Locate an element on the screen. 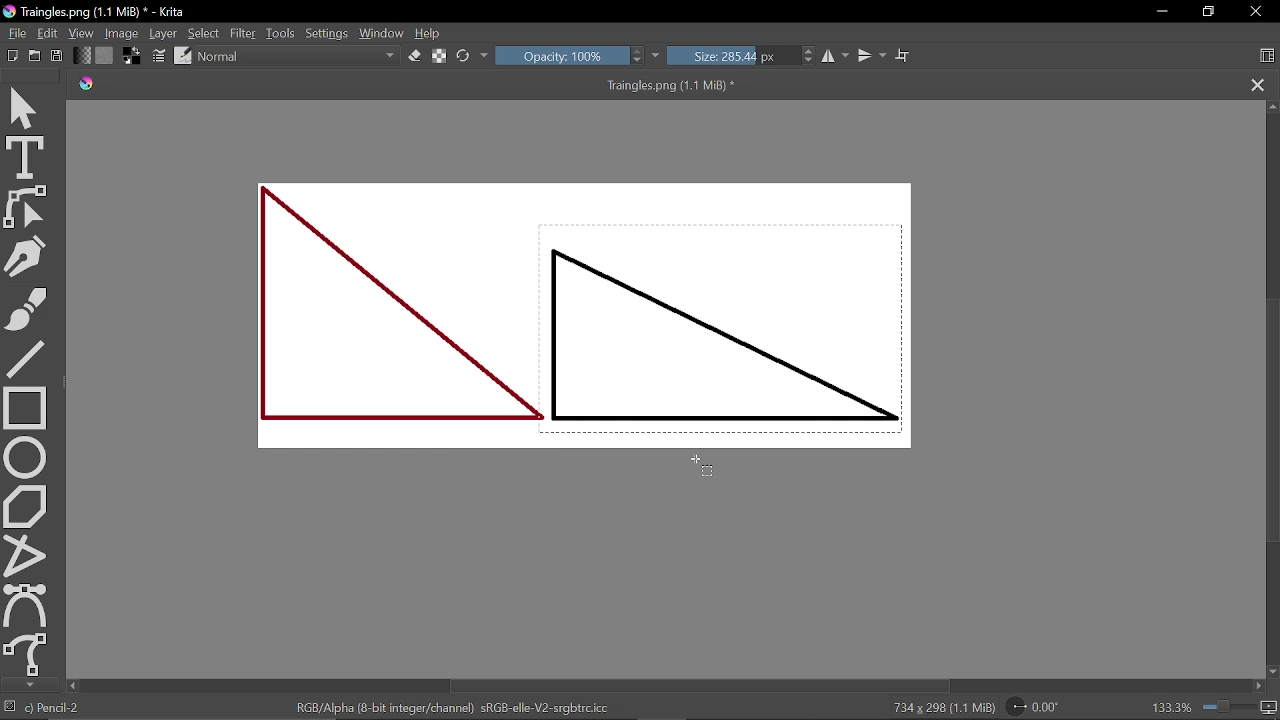 This screenshot has width=1280, height=720. Preserve alpha is located at coordinates (438, 57).